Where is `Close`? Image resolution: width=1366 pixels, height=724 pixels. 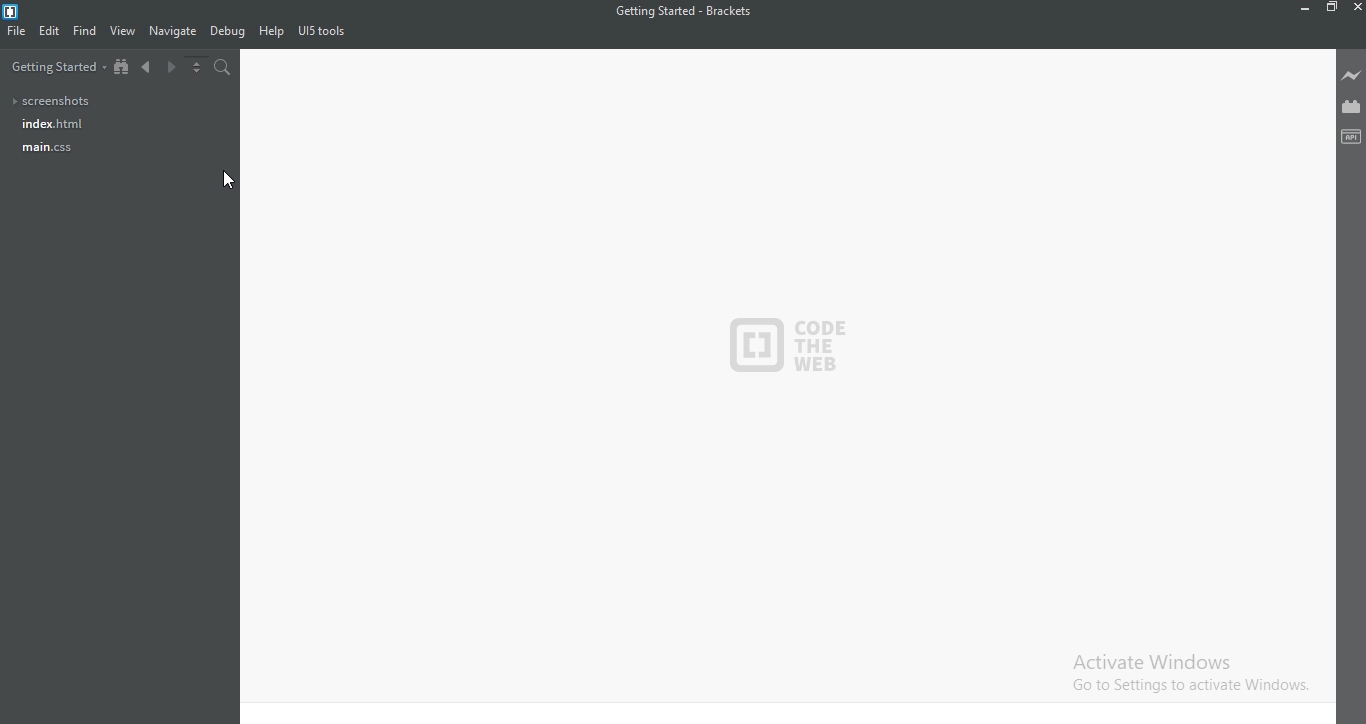
Close is located at coordinates (1356, 7).